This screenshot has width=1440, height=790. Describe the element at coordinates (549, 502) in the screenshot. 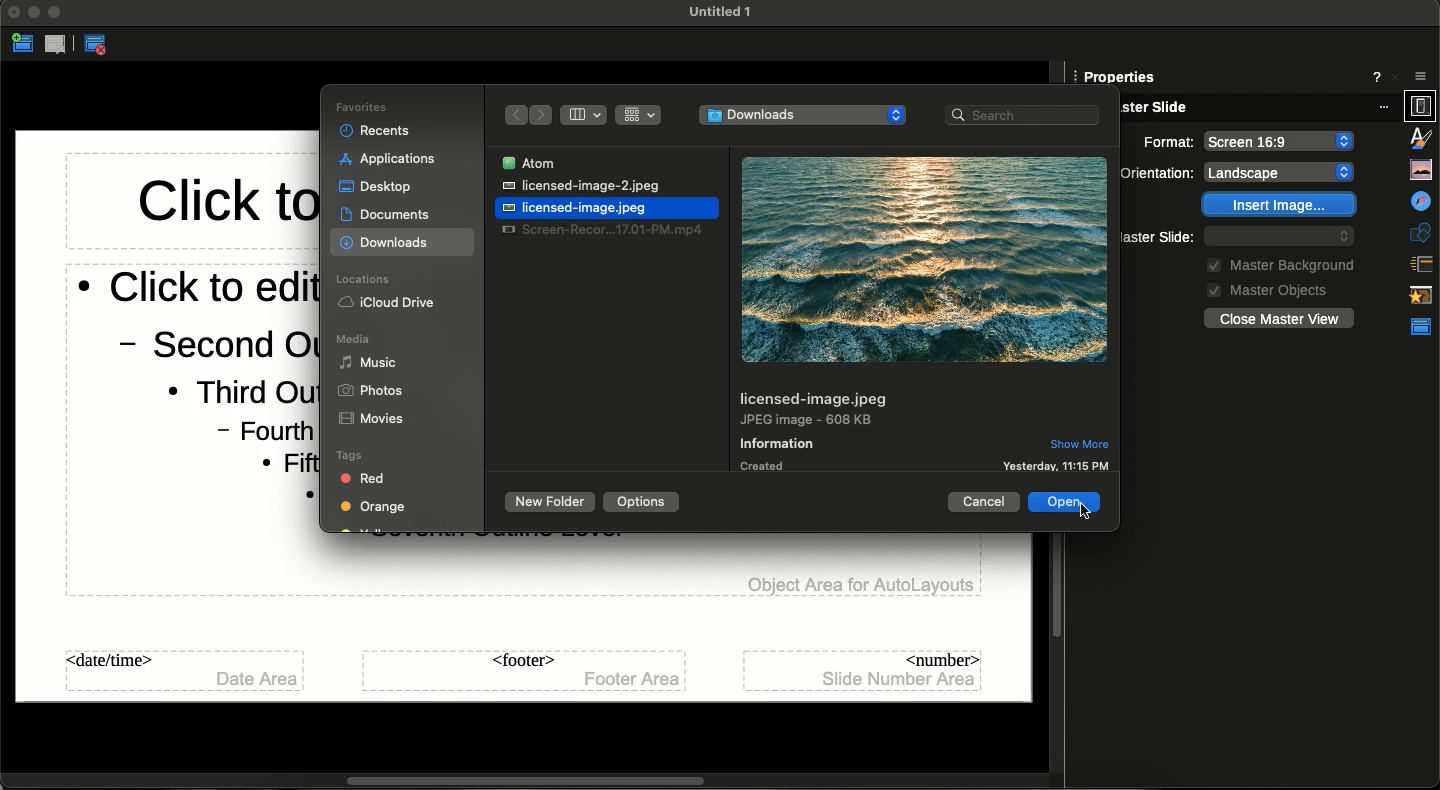

I see `New folder` at that location.